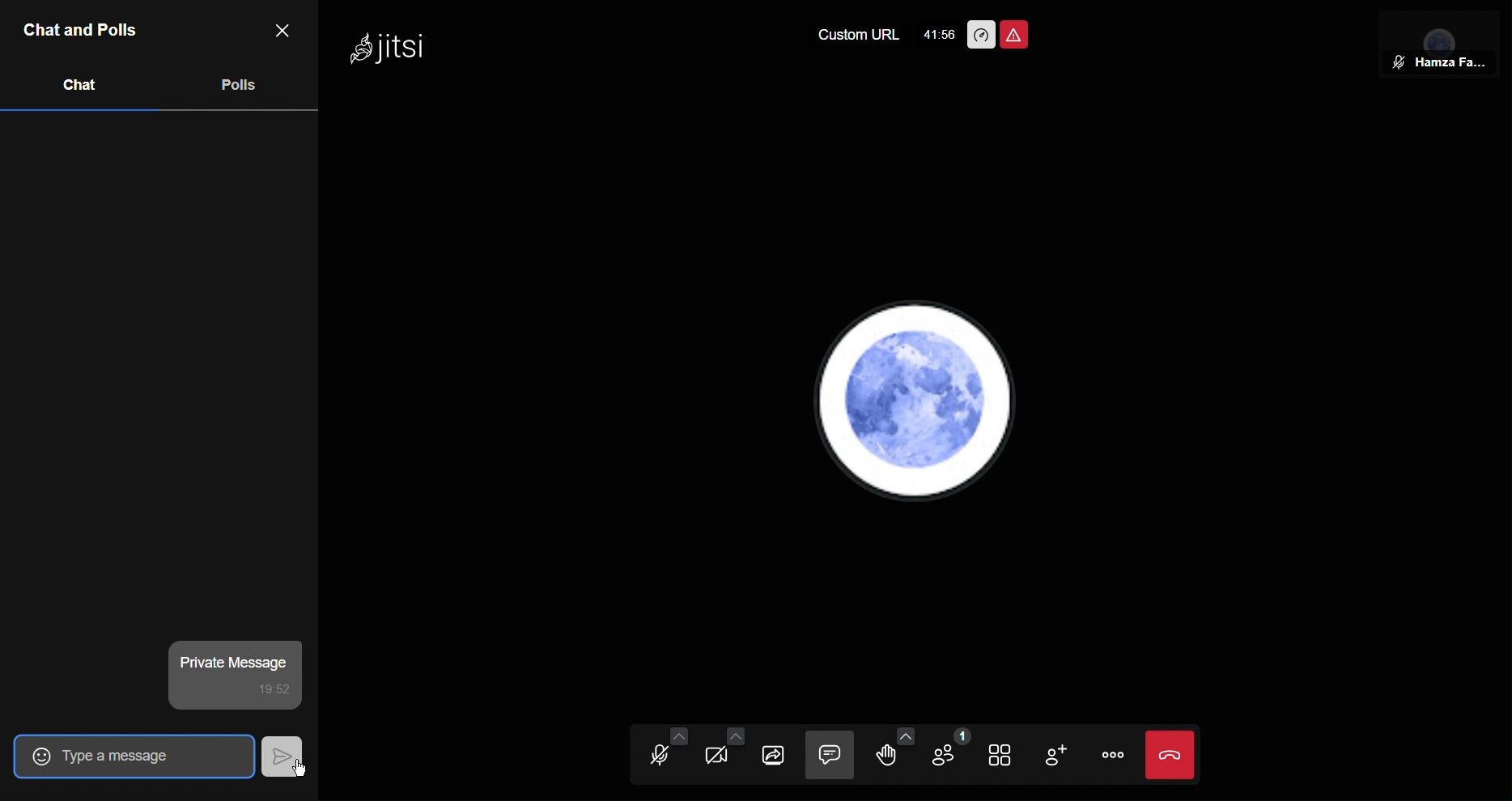 This screenshot has height=801, width=1512. I want to click on Cursor, so click(299, 769).